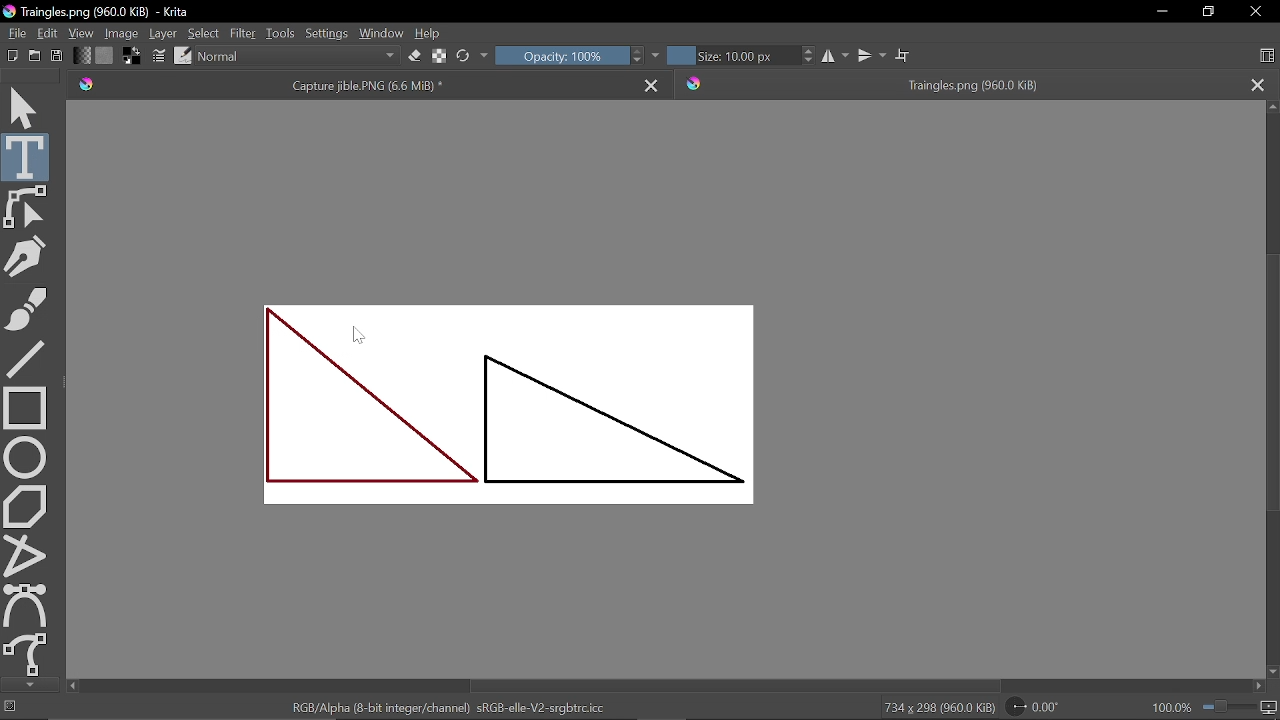 Image resolution: width=1280 pixels, height=720 pixels. What do you see at coordinates (1272, 109) in the screenshot?
I see `Move up` at bounding box center [1272, 109].